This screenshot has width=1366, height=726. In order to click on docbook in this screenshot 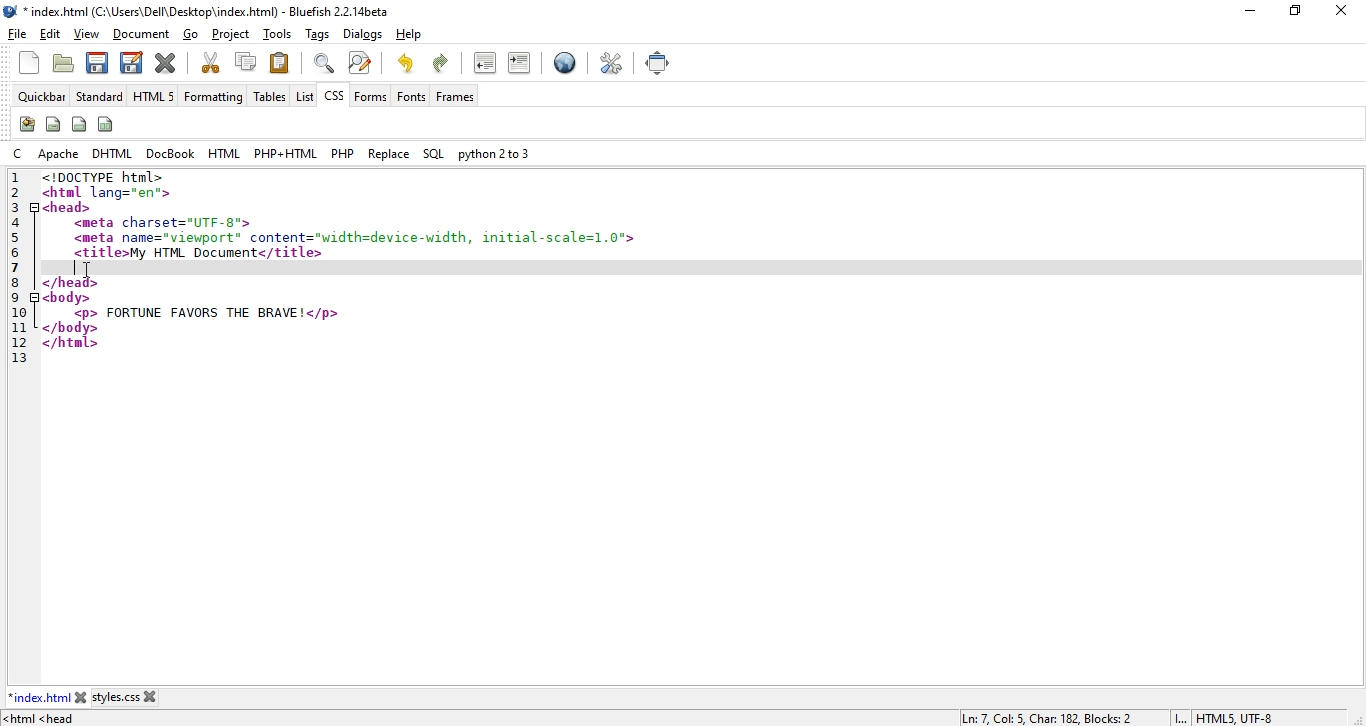, I will do `click(172, 153)`.